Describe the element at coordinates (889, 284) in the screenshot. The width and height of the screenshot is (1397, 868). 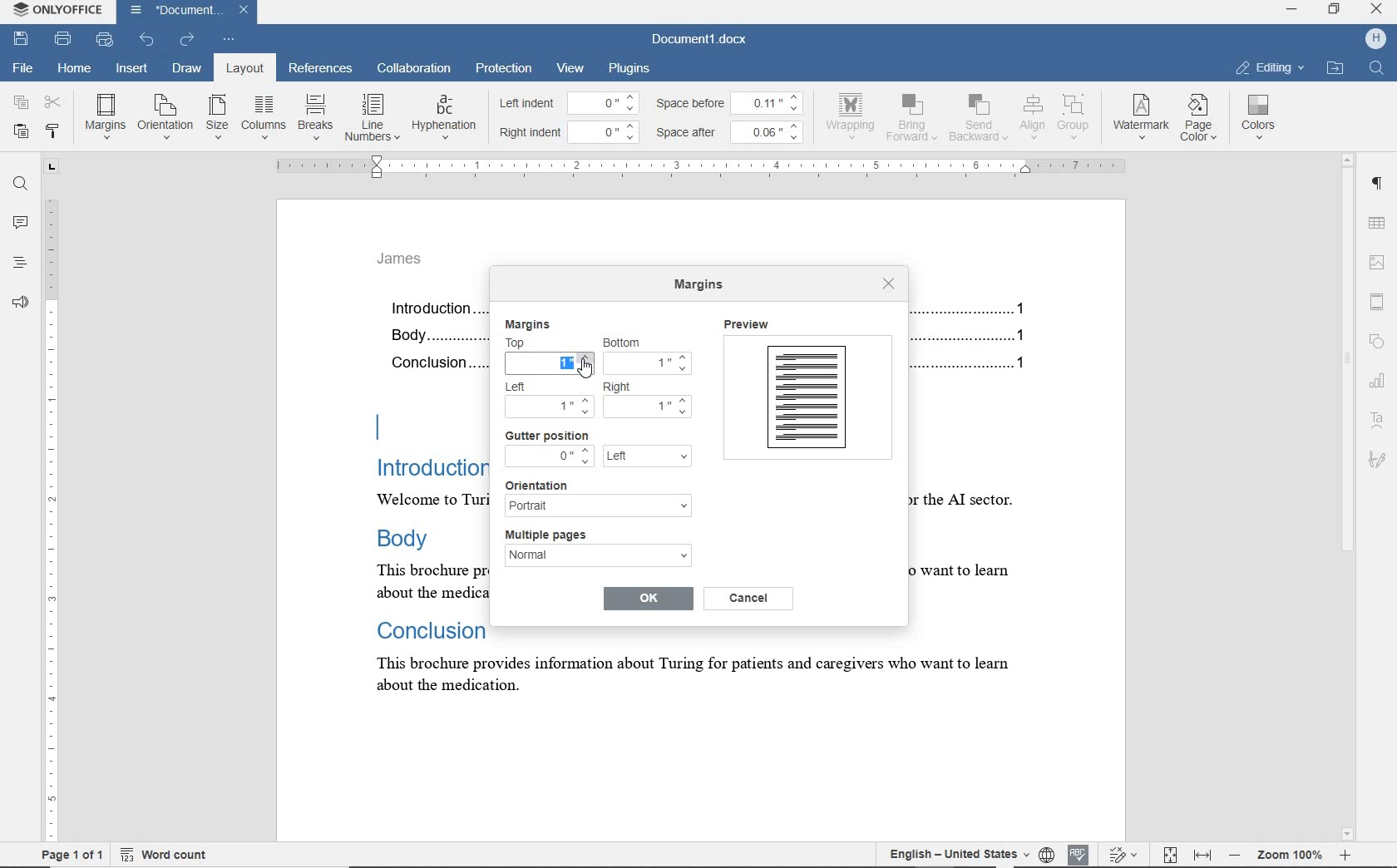
I see `close` at that location.